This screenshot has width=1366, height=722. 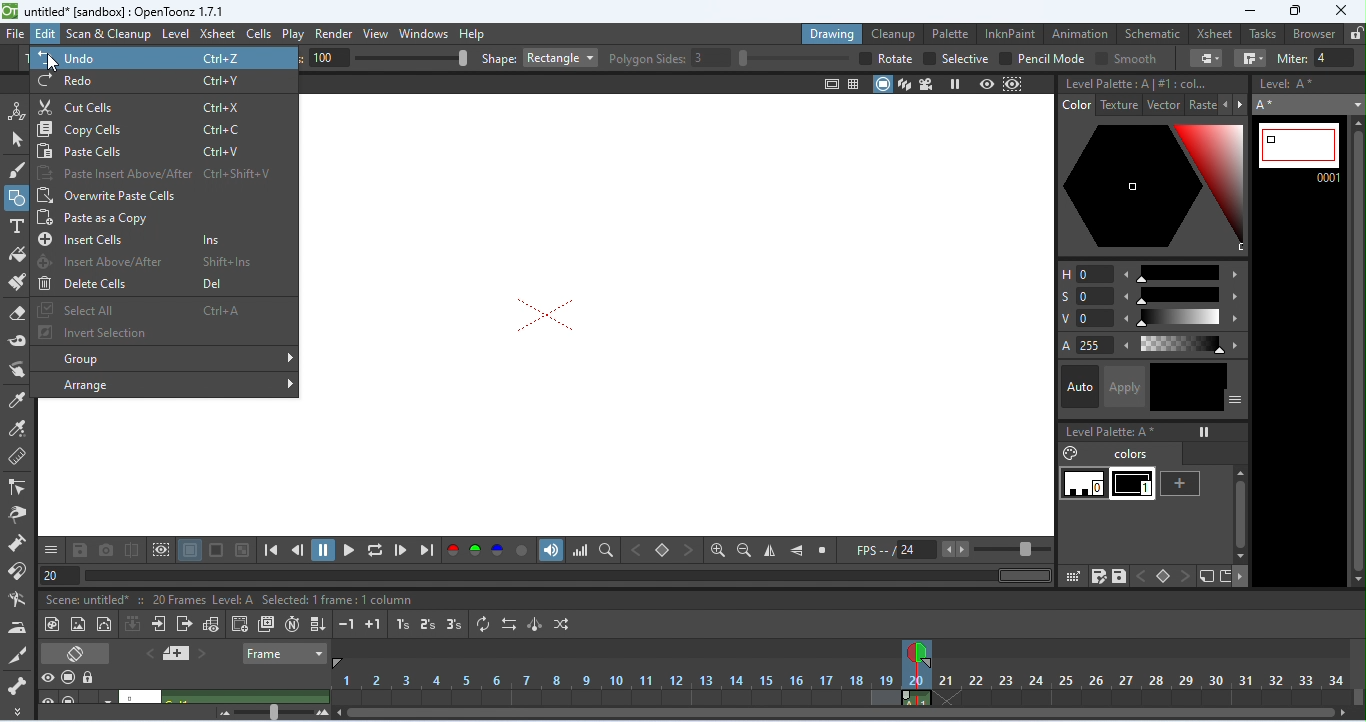 What do you see at coordinates (1079, 34) in the screenshot?
I see `animation` at bounding box center [1079, 34].